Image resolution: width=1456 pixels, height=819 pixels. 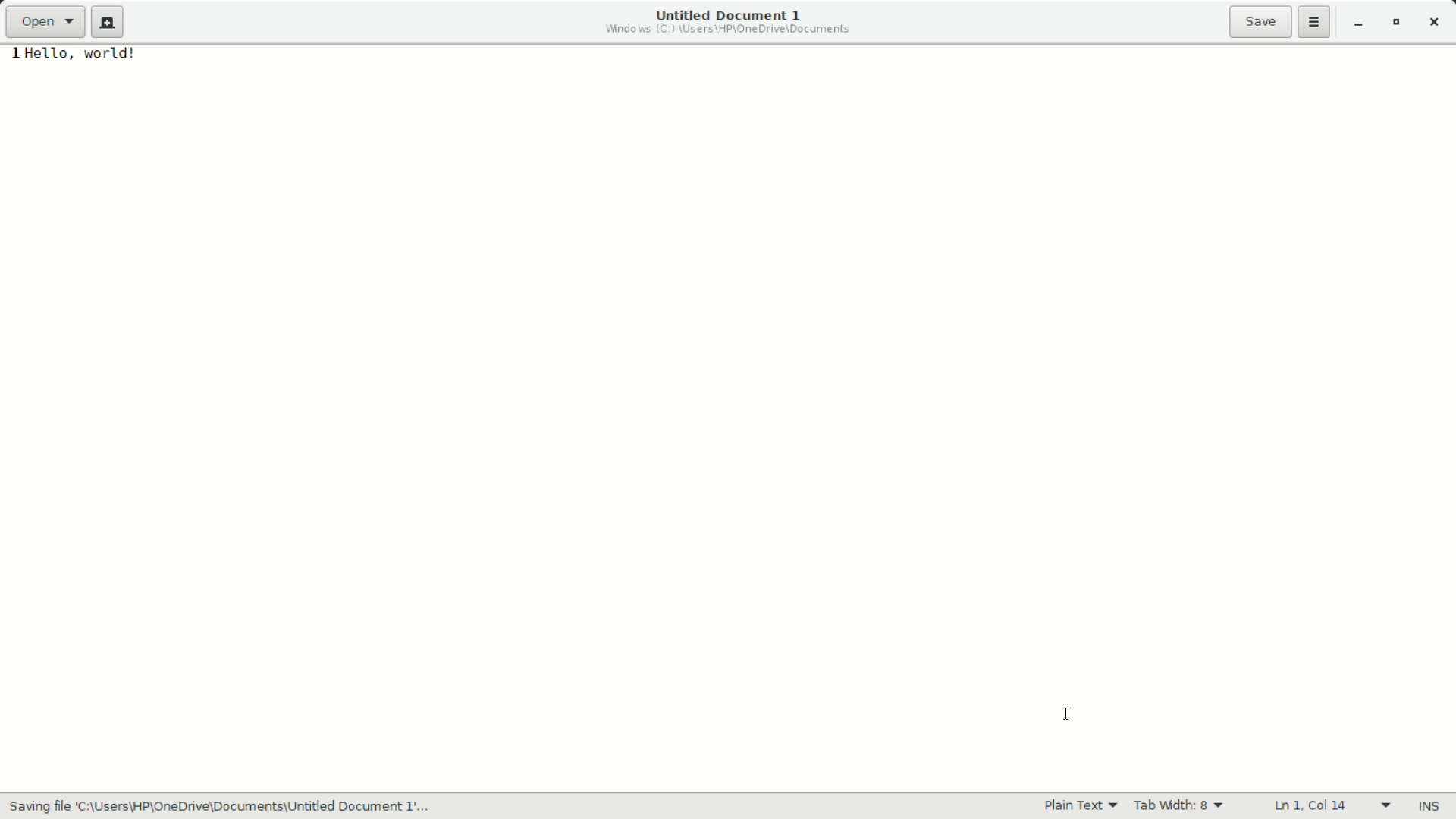 I want to click on maximize or restore, so click(x=1401, y=24).